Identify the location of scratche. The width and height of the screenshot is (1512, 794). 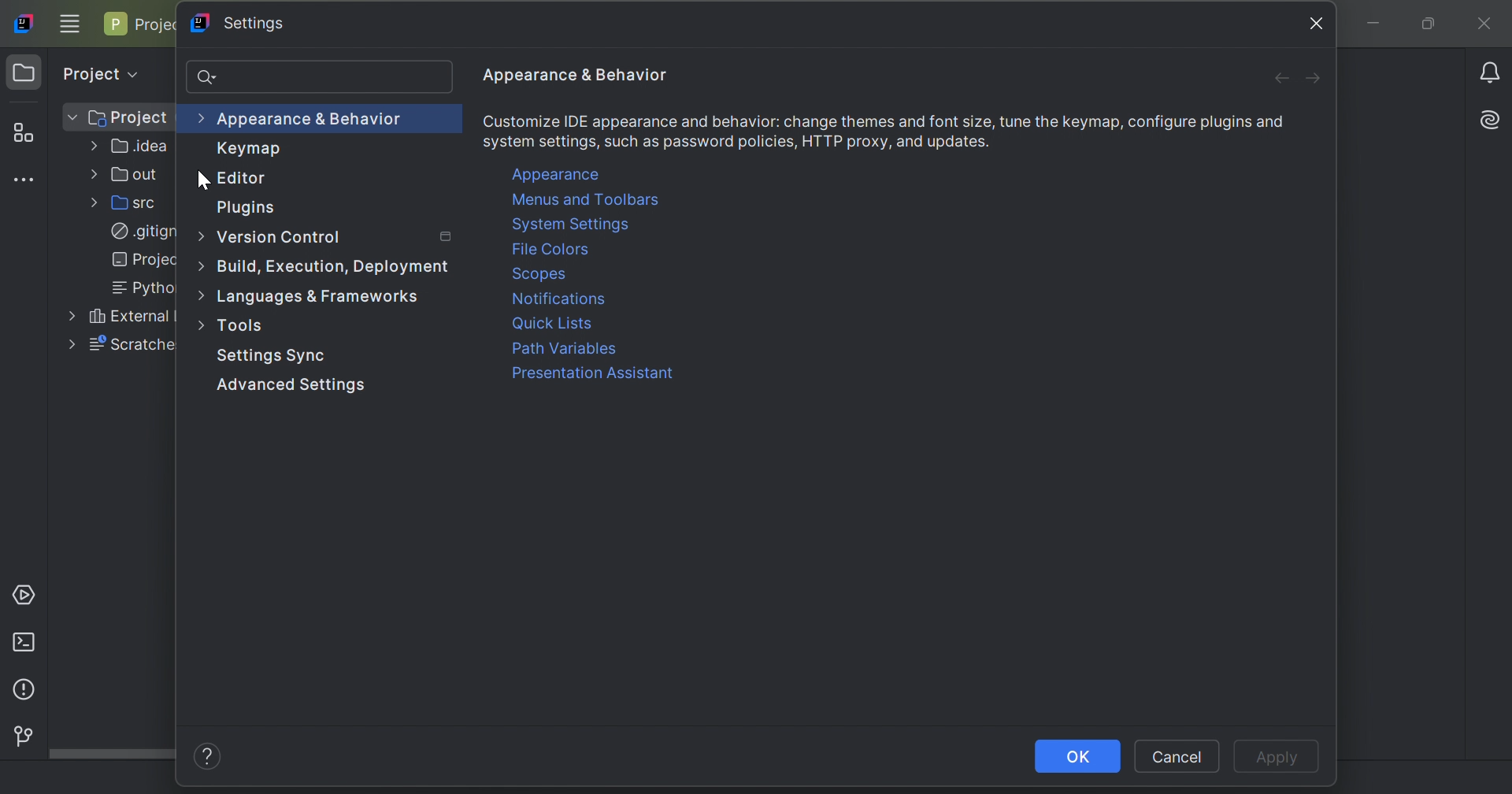
(121, 347).